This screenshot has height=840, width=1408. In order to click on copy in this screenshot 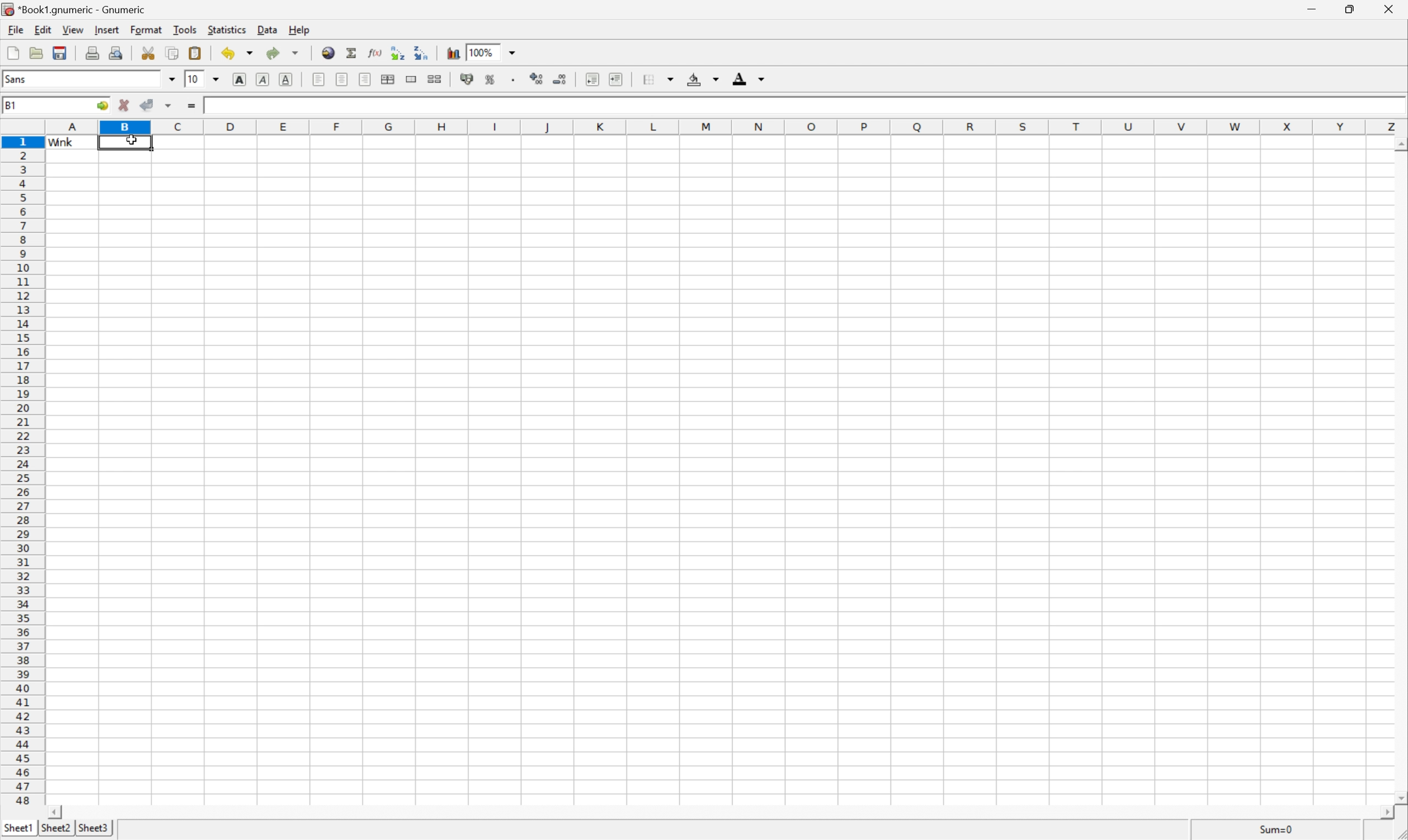, I will do `click(173, 53)`.